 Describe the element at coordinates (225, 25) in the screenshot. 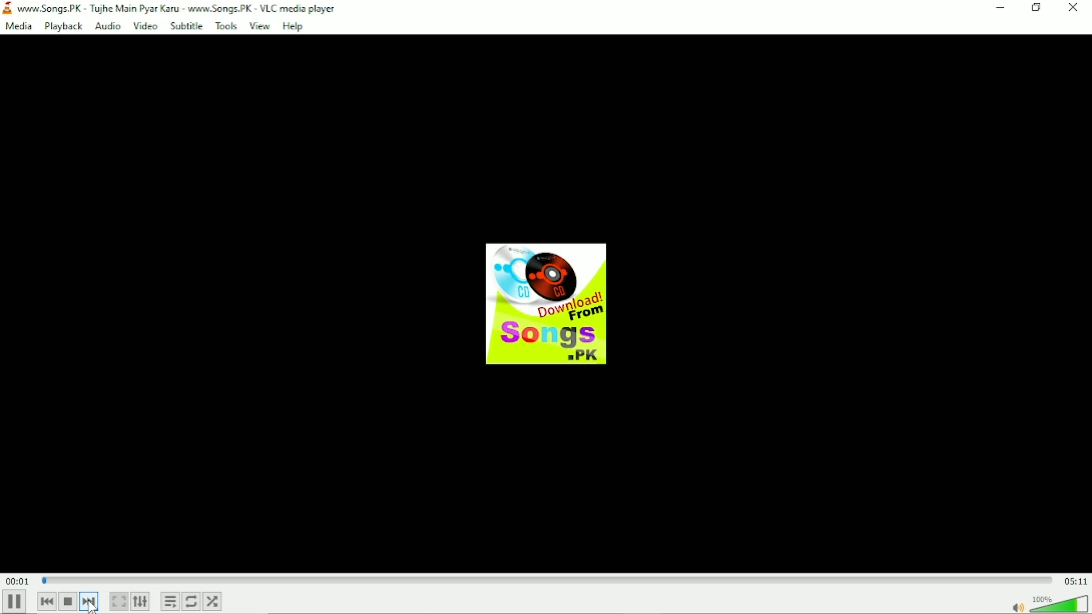

I see `Tools` at that location.